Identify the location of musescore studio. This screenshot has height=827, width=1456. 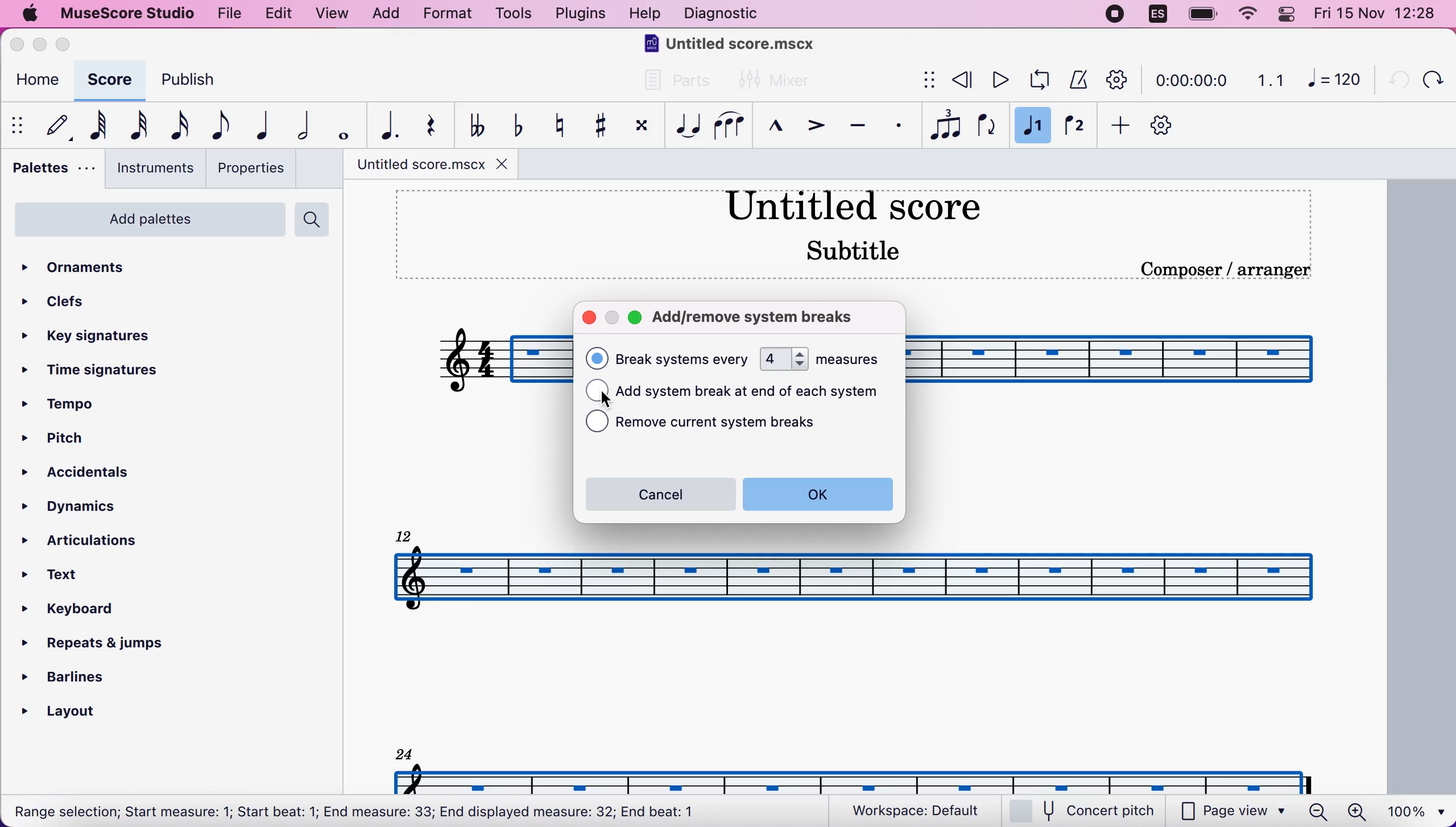
(125, 14).